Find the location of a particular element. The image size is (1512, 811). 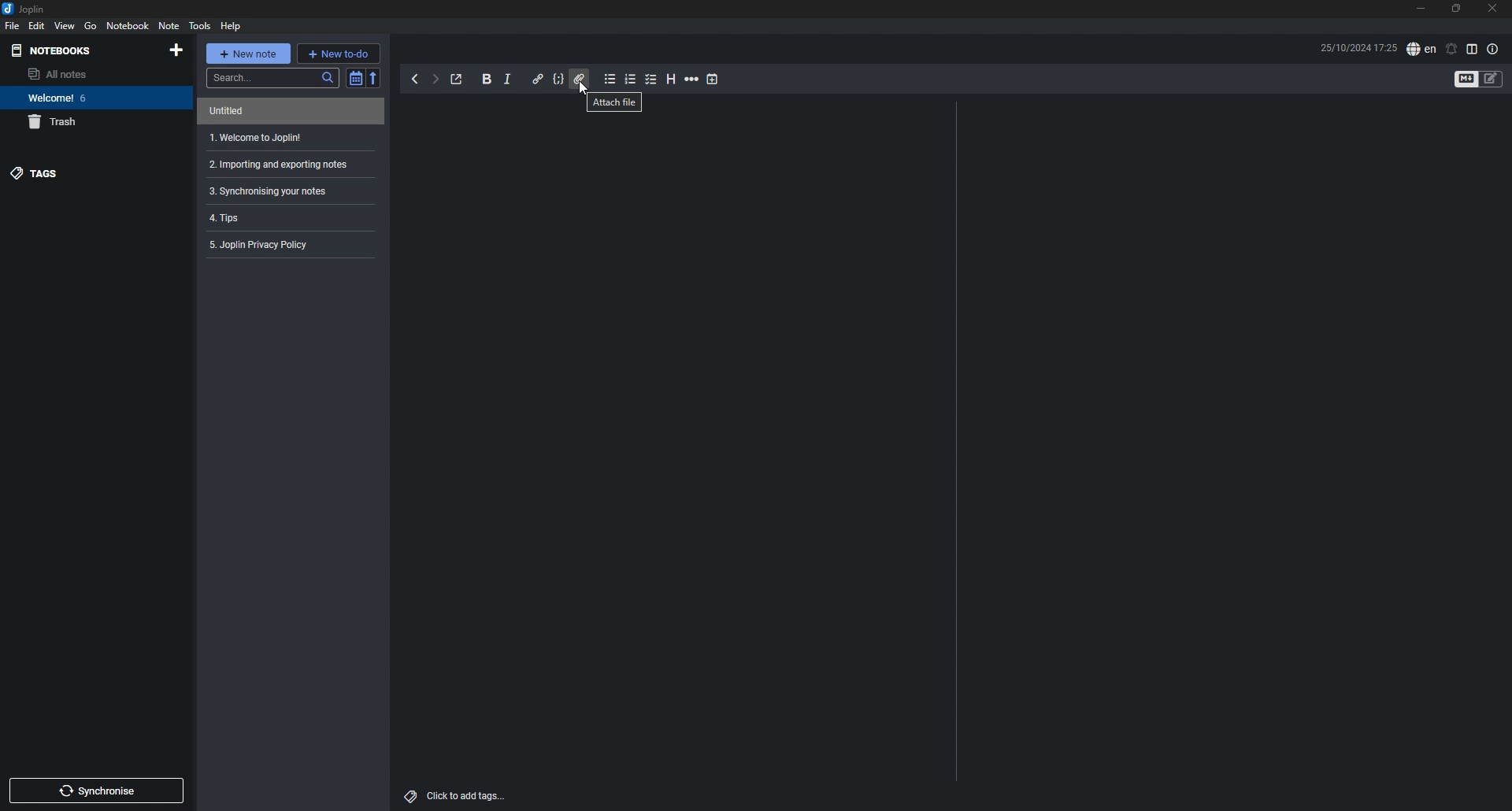

horizontal rule is located at coordinates (692, 80).